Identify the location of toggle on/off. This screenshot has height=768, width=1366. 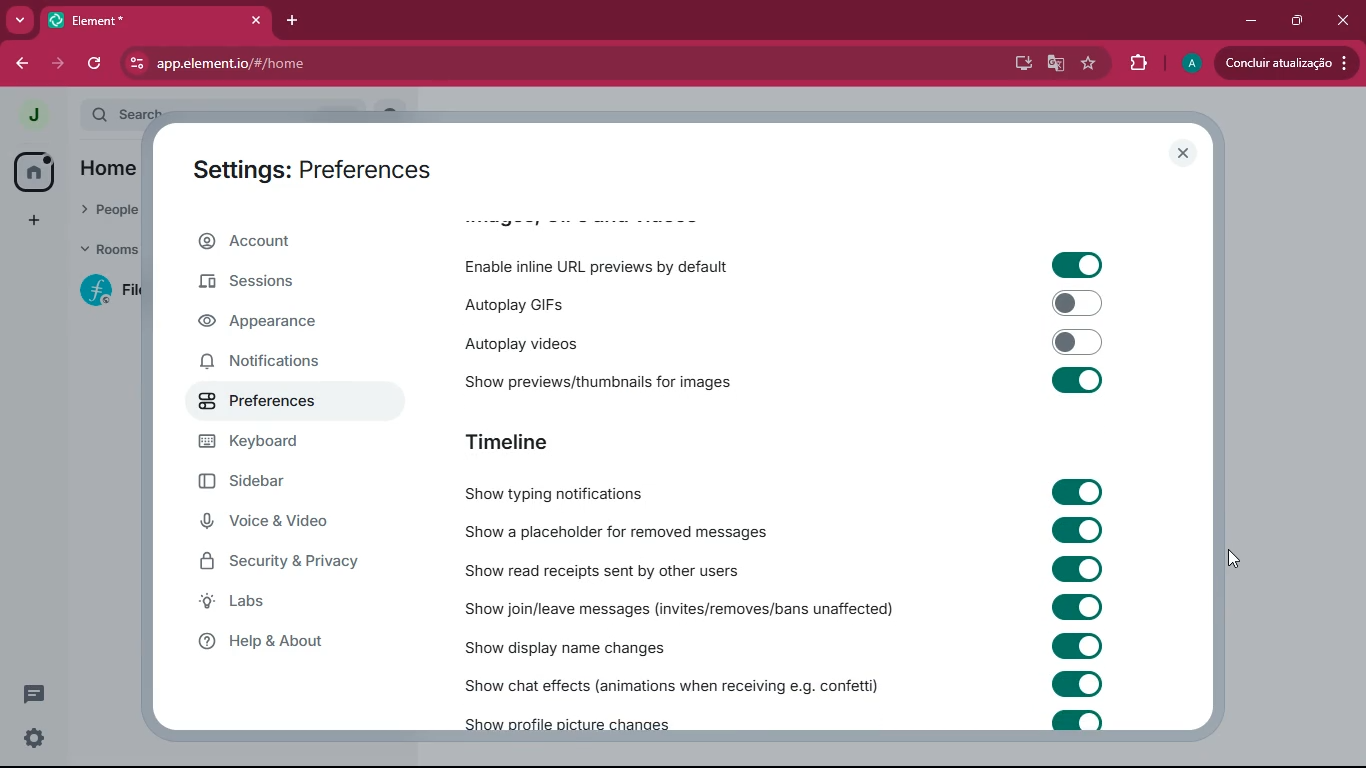
(1078, 529).